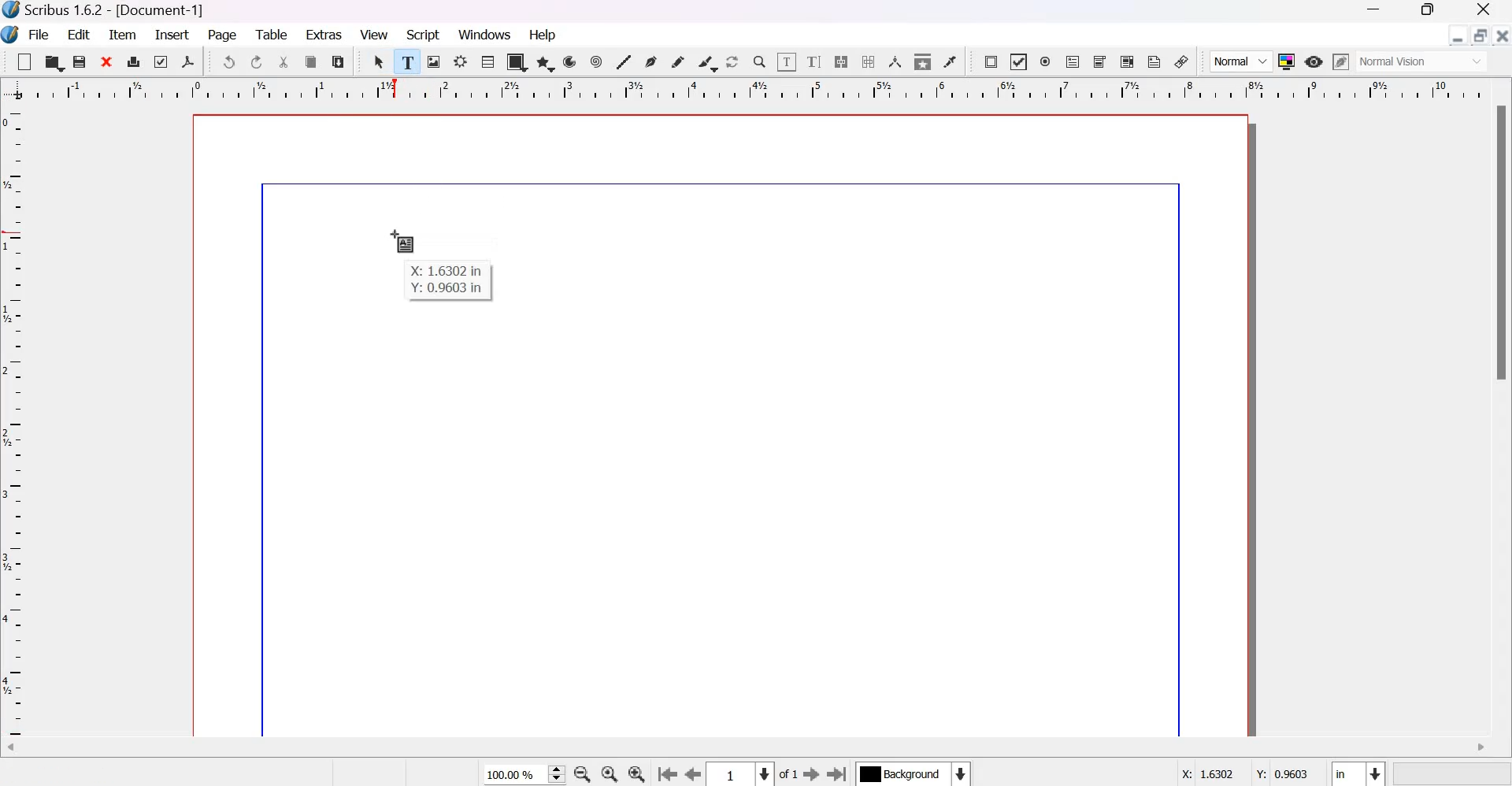  What do you see at coordinates (570, 61) in the screenshot?
I see `arc` at bounding box center [570, 61].